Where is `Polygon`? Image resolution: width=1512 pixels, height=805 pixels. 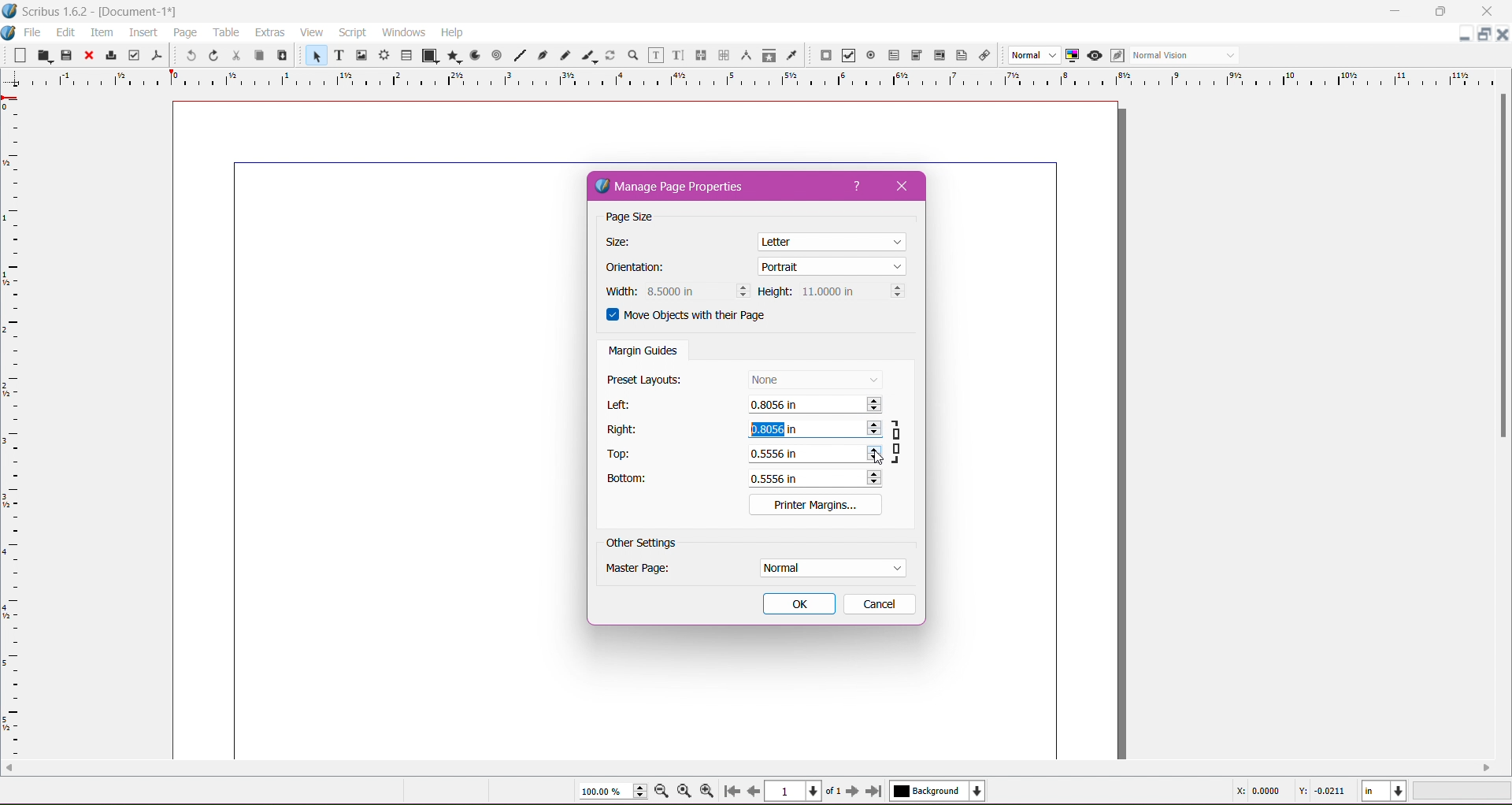
Polygon is located at coordinates (451, 57).